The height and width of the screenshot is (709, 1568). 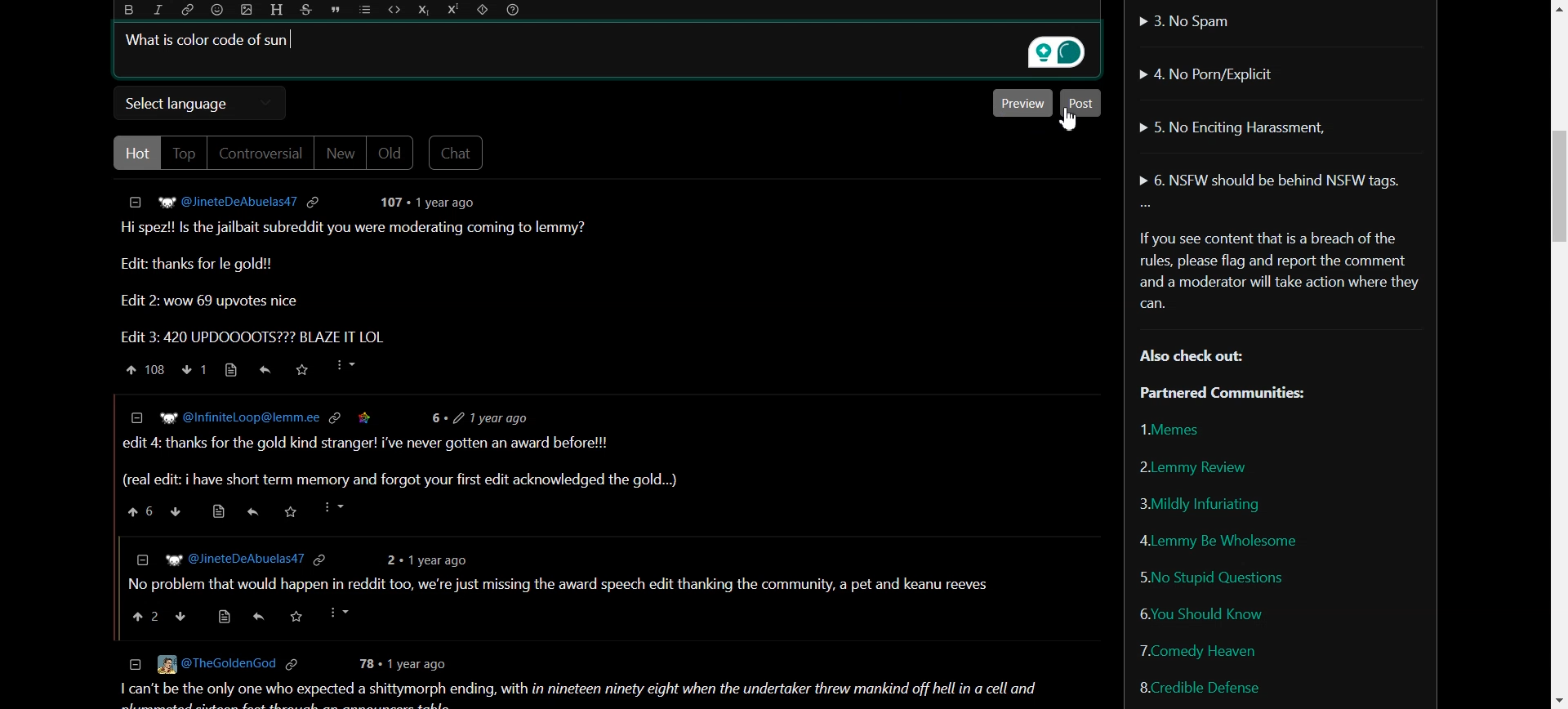 What do you see at coordinates (364, 11) in the screenshot?
I see `List` at bounding box center [364, 11].